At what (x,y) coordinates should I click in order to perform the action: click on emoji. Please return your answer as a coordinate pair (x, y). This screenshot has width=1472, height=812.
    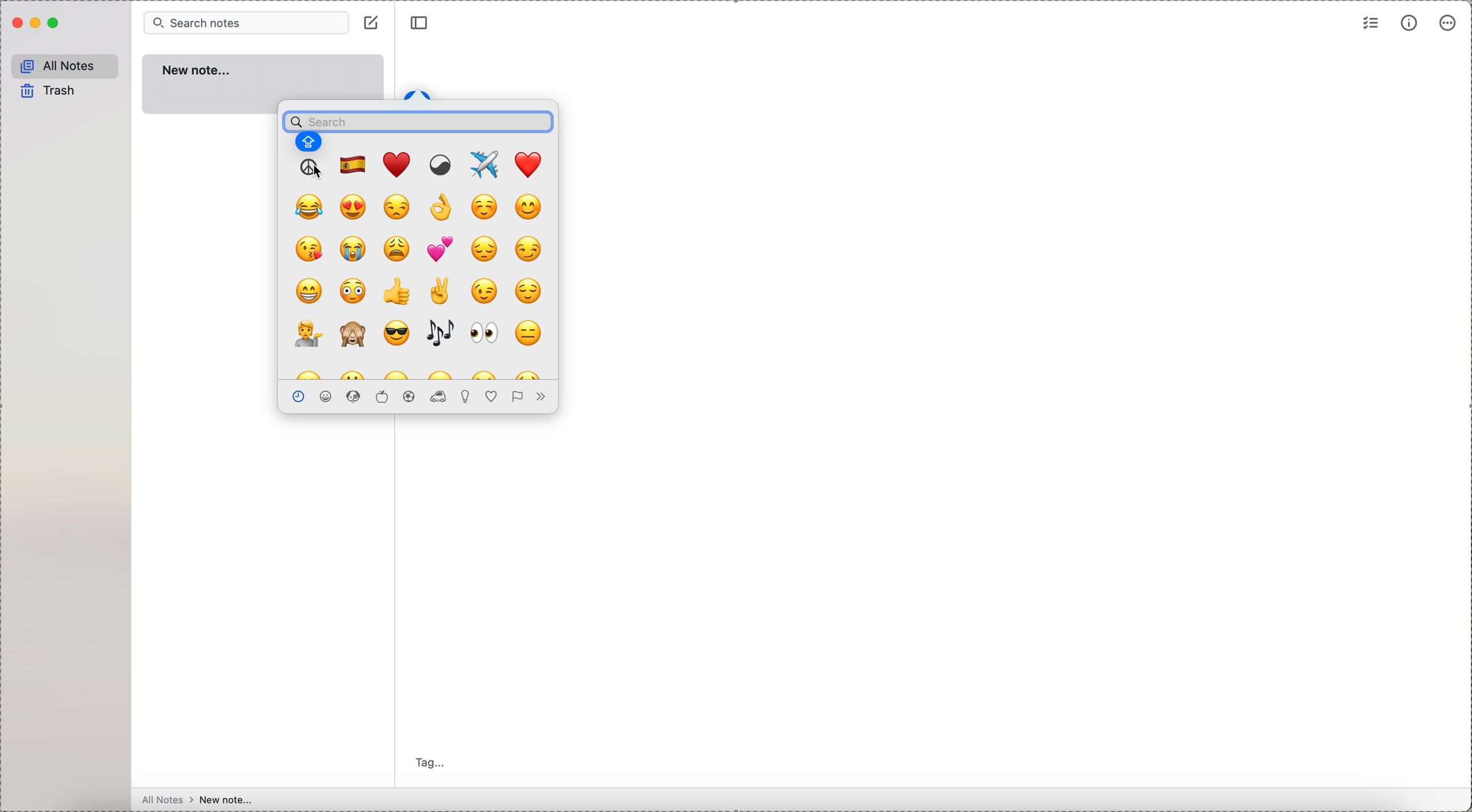
    Looking at the image, I should click on (529, 333).